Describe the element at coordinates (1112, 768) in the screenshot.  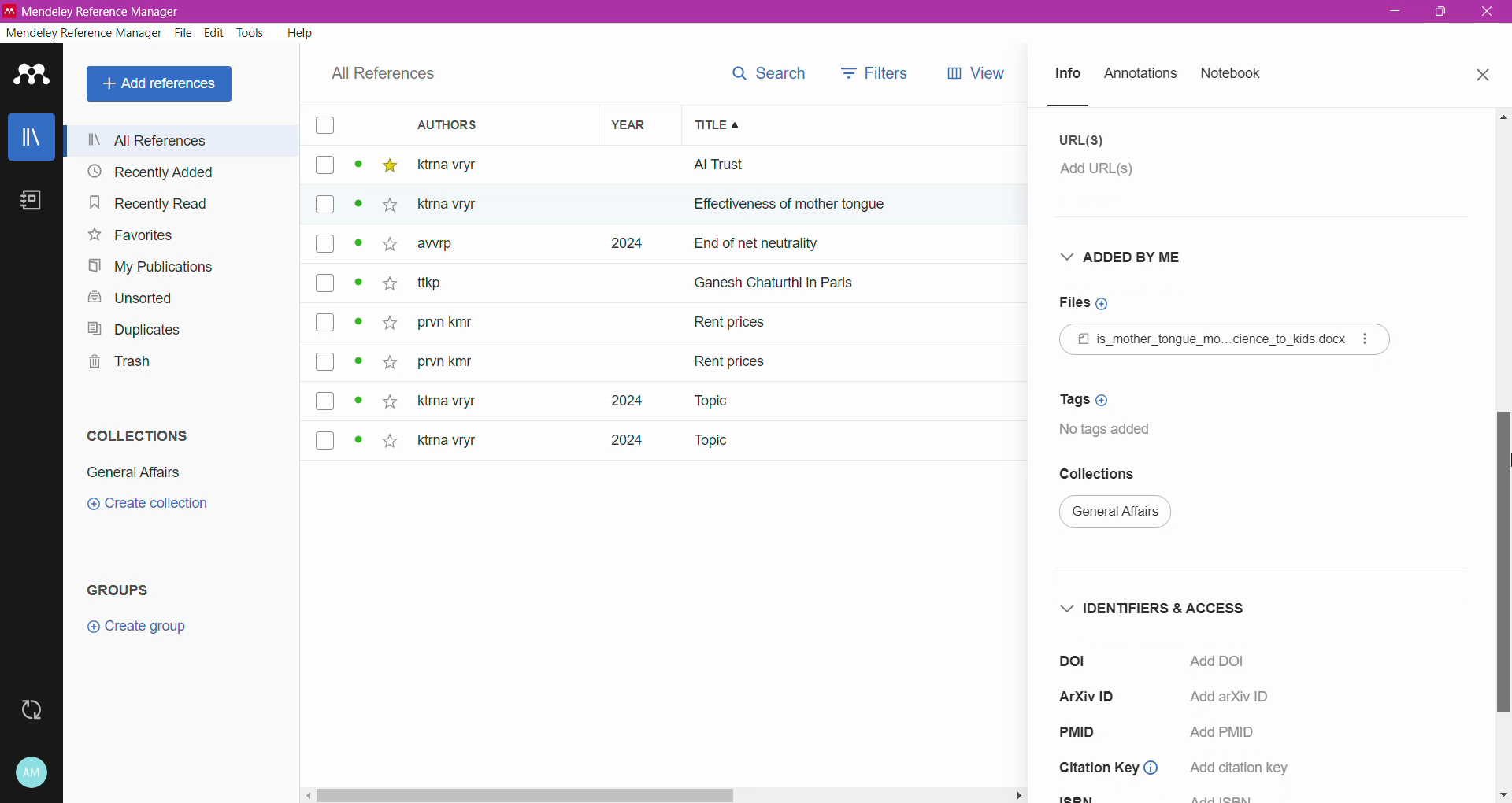
I see `Citation Key` at that location.